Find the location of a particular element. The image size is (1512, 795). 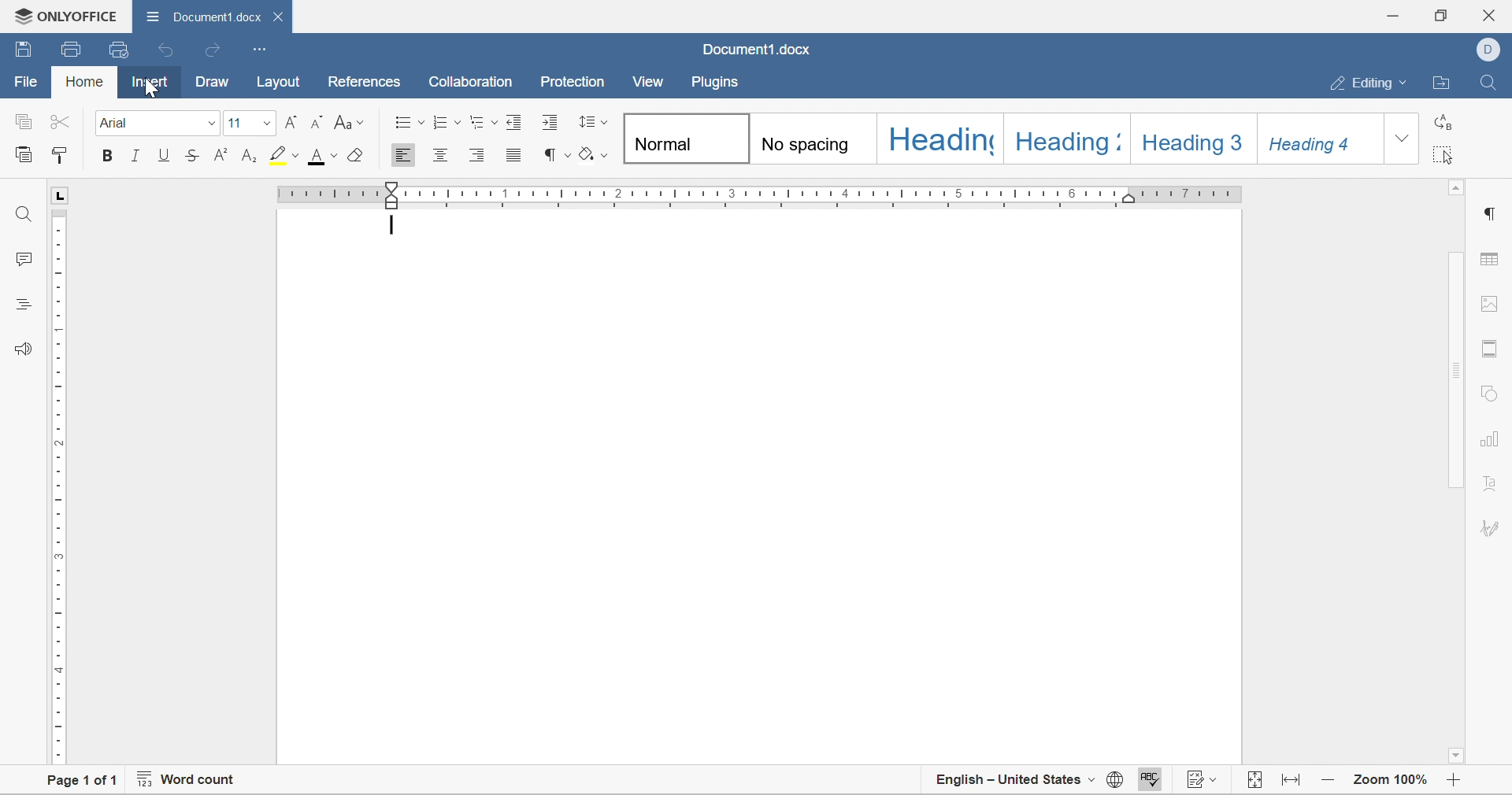

Zoom out is located at coordinates (1329, 782).